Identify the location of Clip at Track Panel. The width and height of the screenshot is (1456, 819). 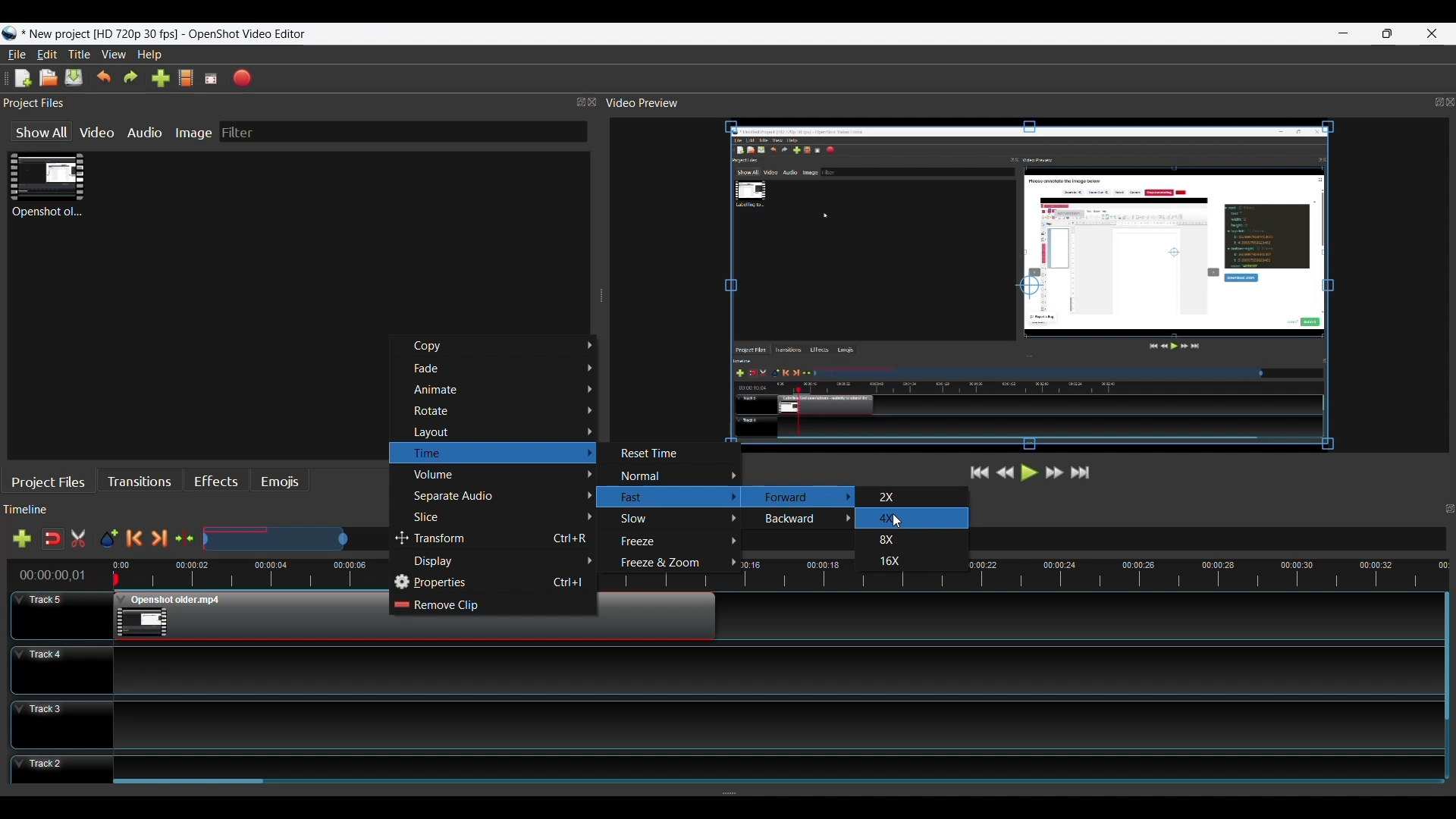
(242, 617).